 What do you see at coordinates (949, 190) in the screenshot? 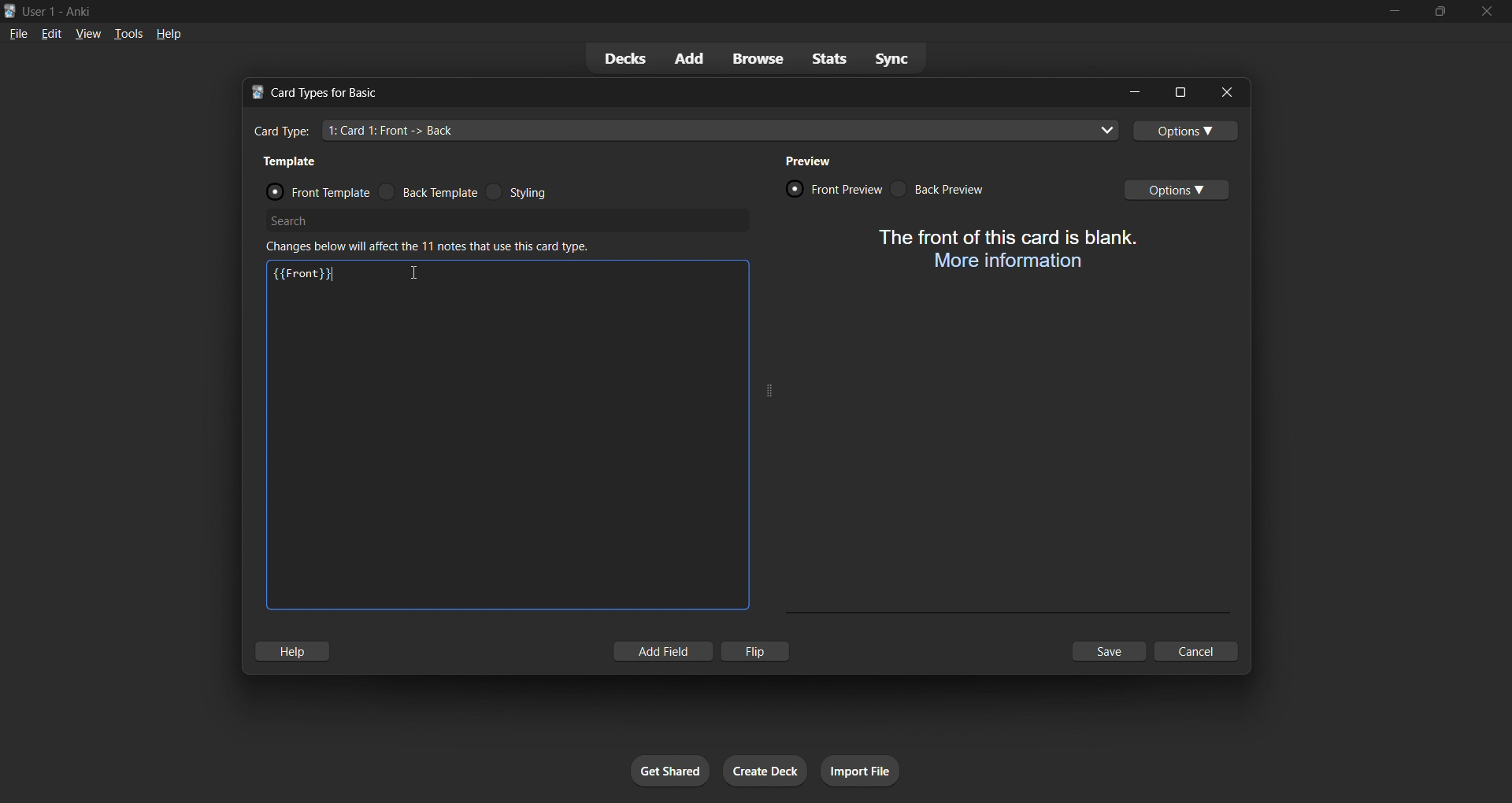
I see `back preview` at bounding box center [949, 190].